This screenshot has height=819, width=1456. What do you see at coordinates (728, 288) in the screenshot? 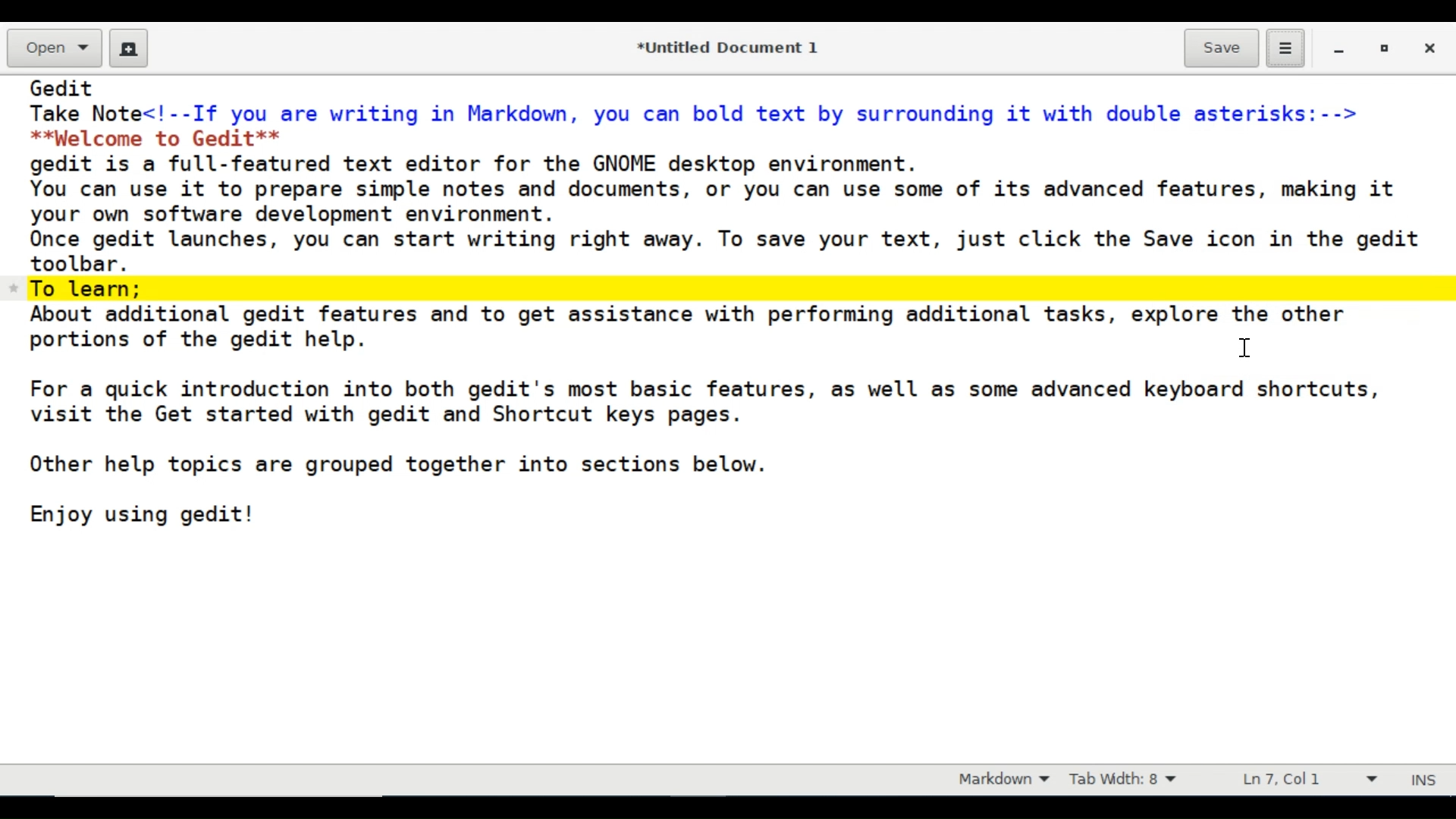
I see `added bookmark to line number 7` at bounding box center [728, 288].